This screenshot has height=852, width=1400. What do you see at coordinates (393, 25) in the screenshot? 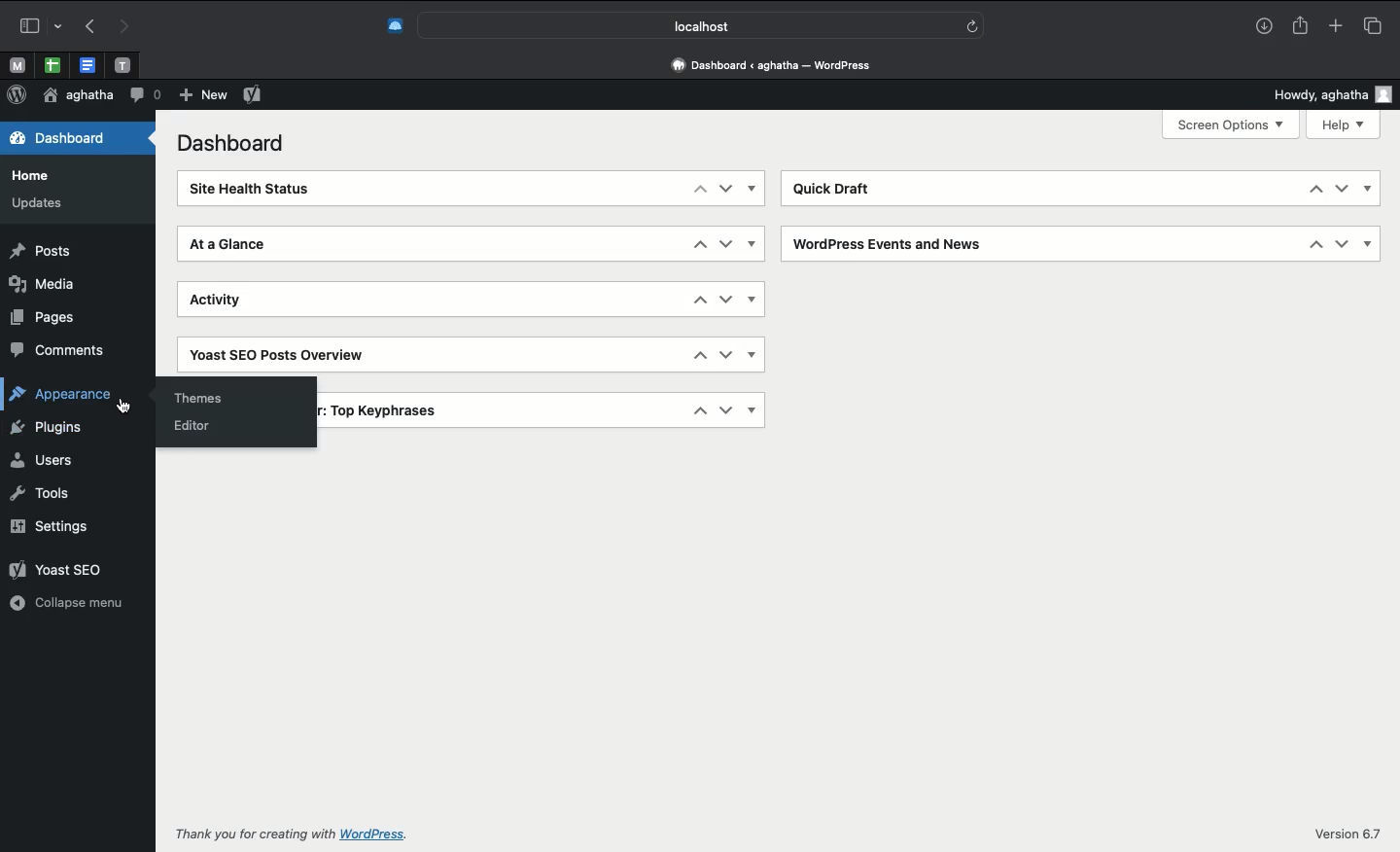
I see `Extensions` at bounding box center [393, 25].